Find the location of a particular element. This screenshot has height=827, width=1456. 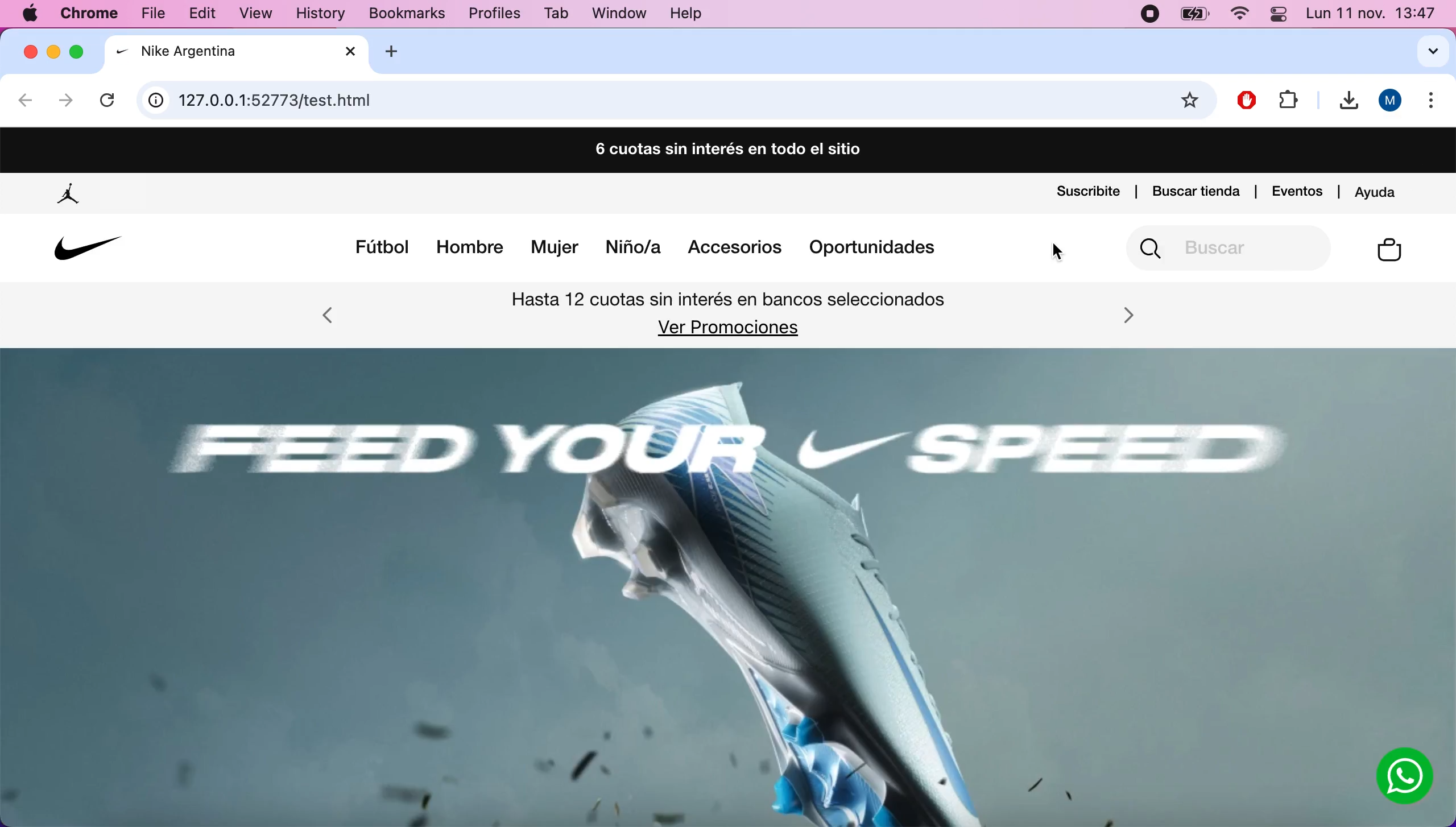

Window is located at coordinates (616, 13).